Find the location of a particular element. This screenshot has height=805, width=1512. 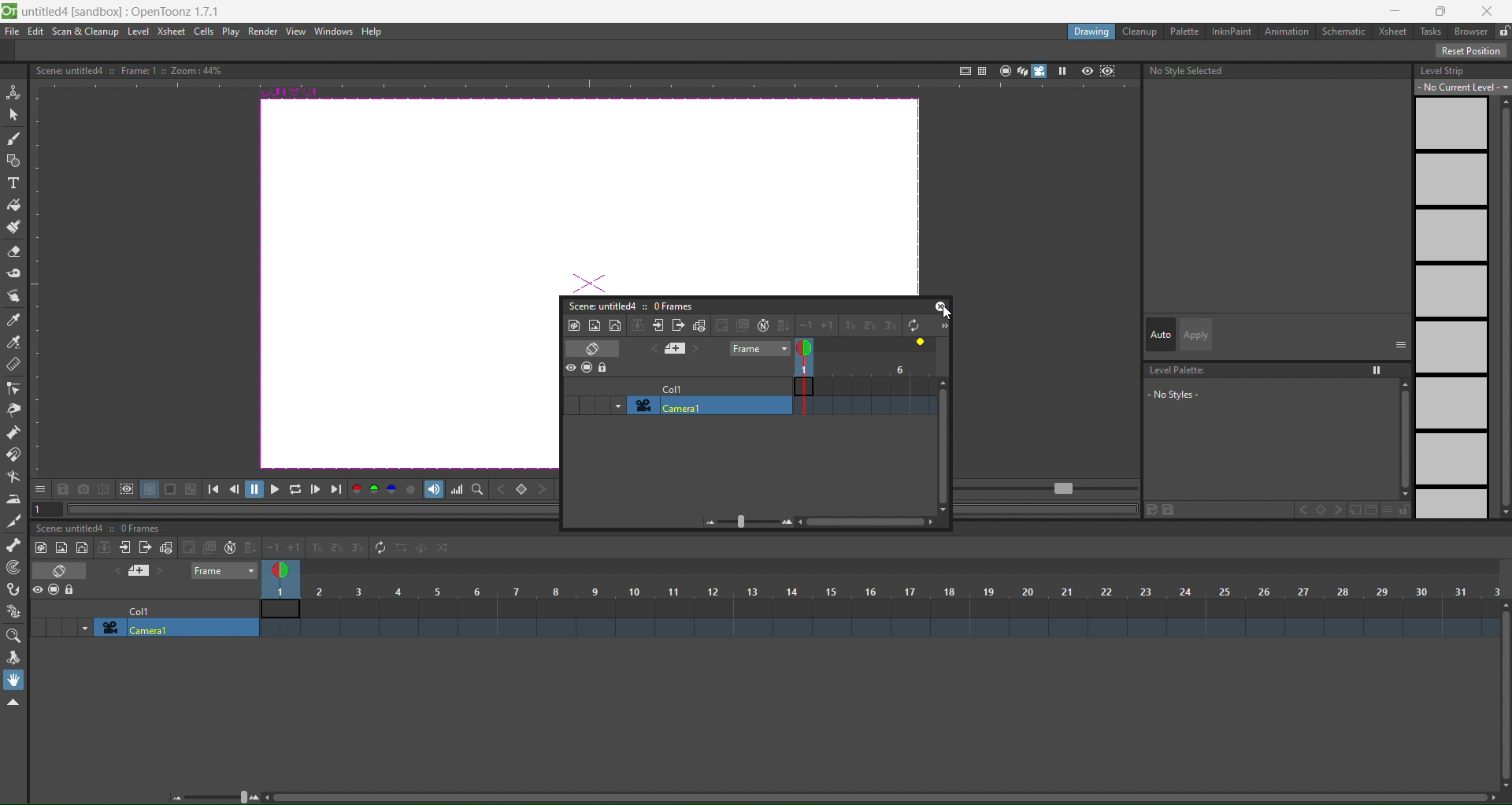

schematic is located at coordinates (1347, 32).